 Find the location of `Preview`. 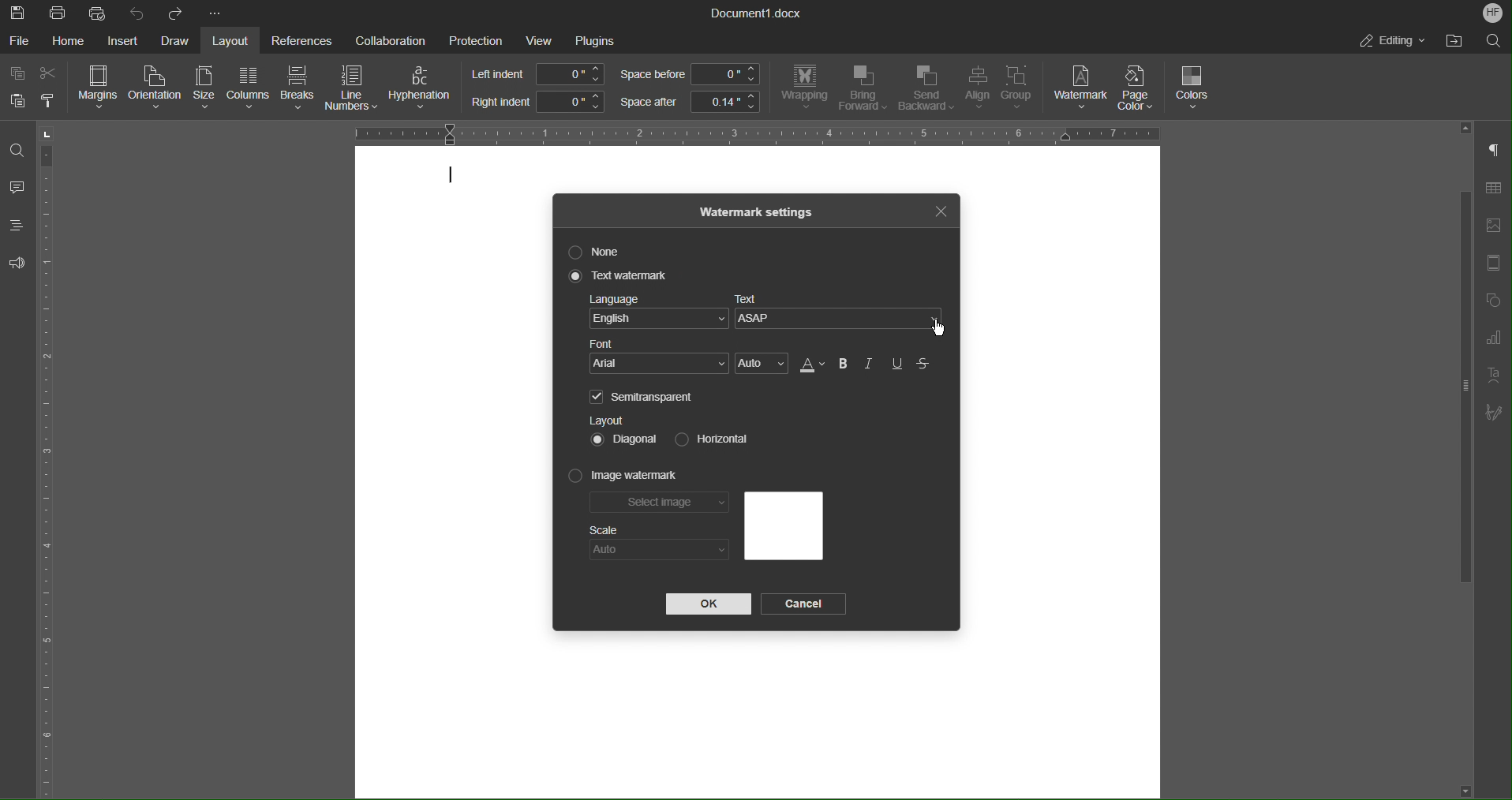

Preview is located at coordinates (783, 526).